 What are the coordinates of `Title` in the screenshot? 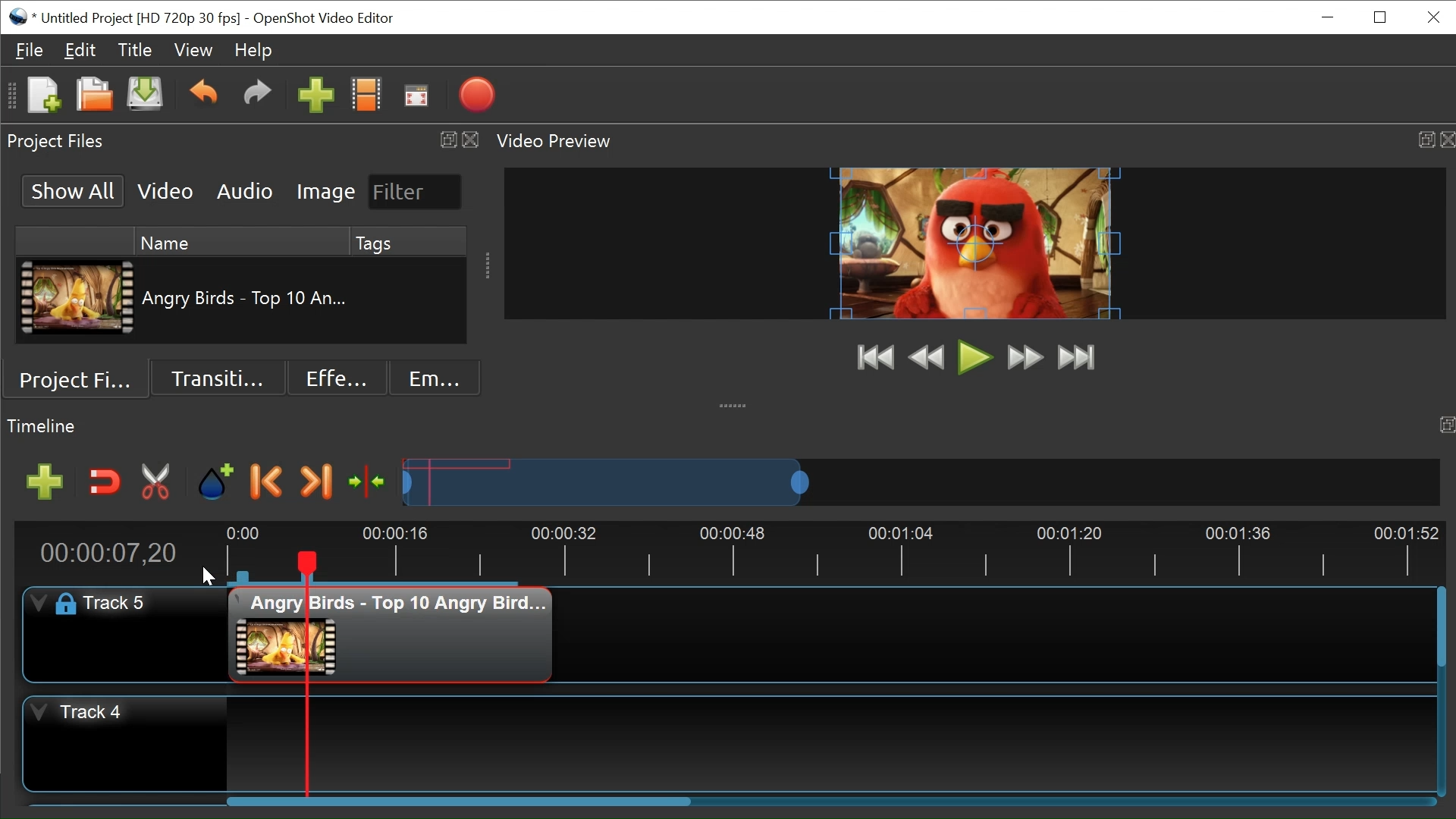 It's located at (133, 50).